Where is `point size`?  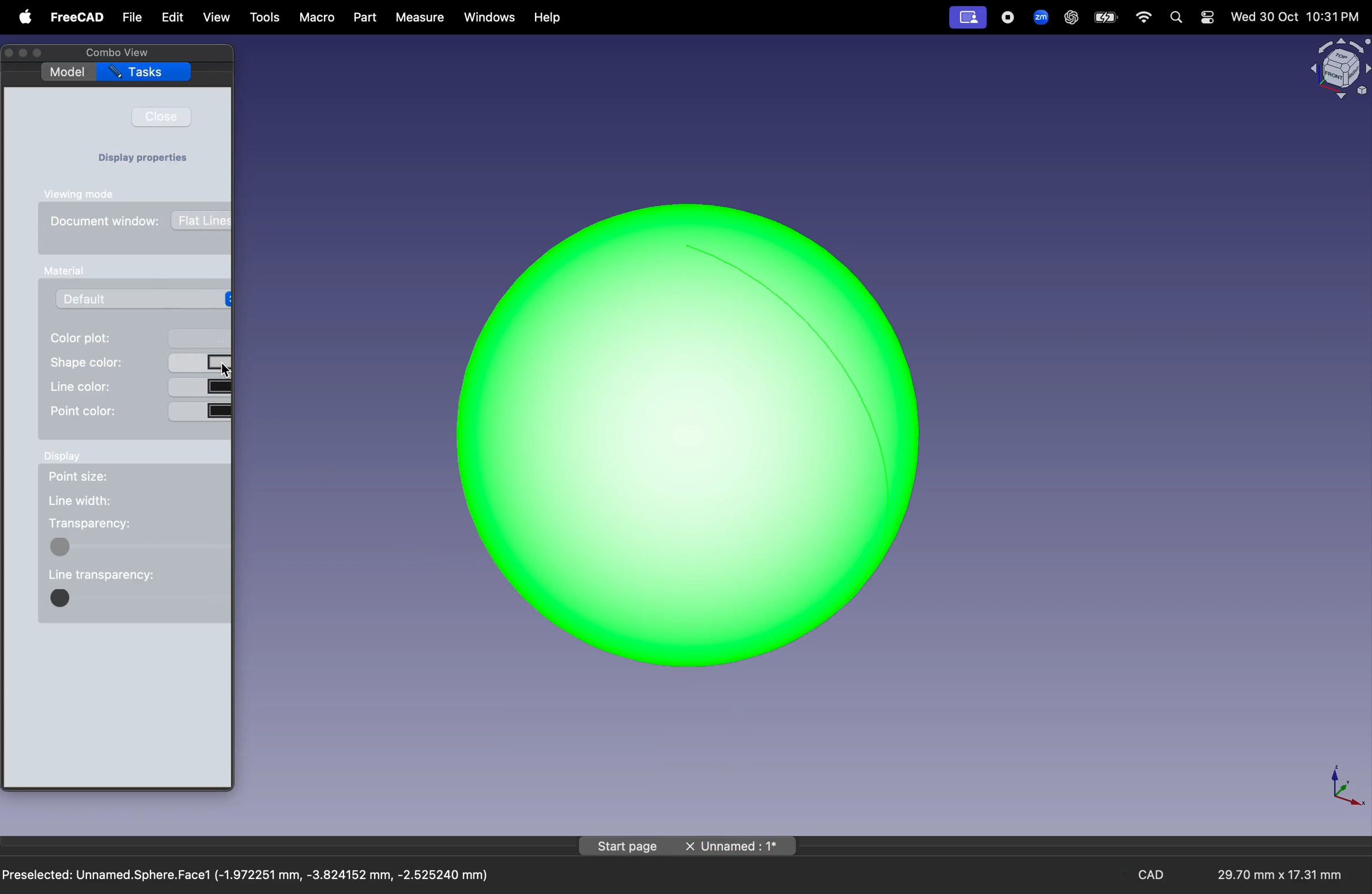 point size is located at coordinates (86, 476).